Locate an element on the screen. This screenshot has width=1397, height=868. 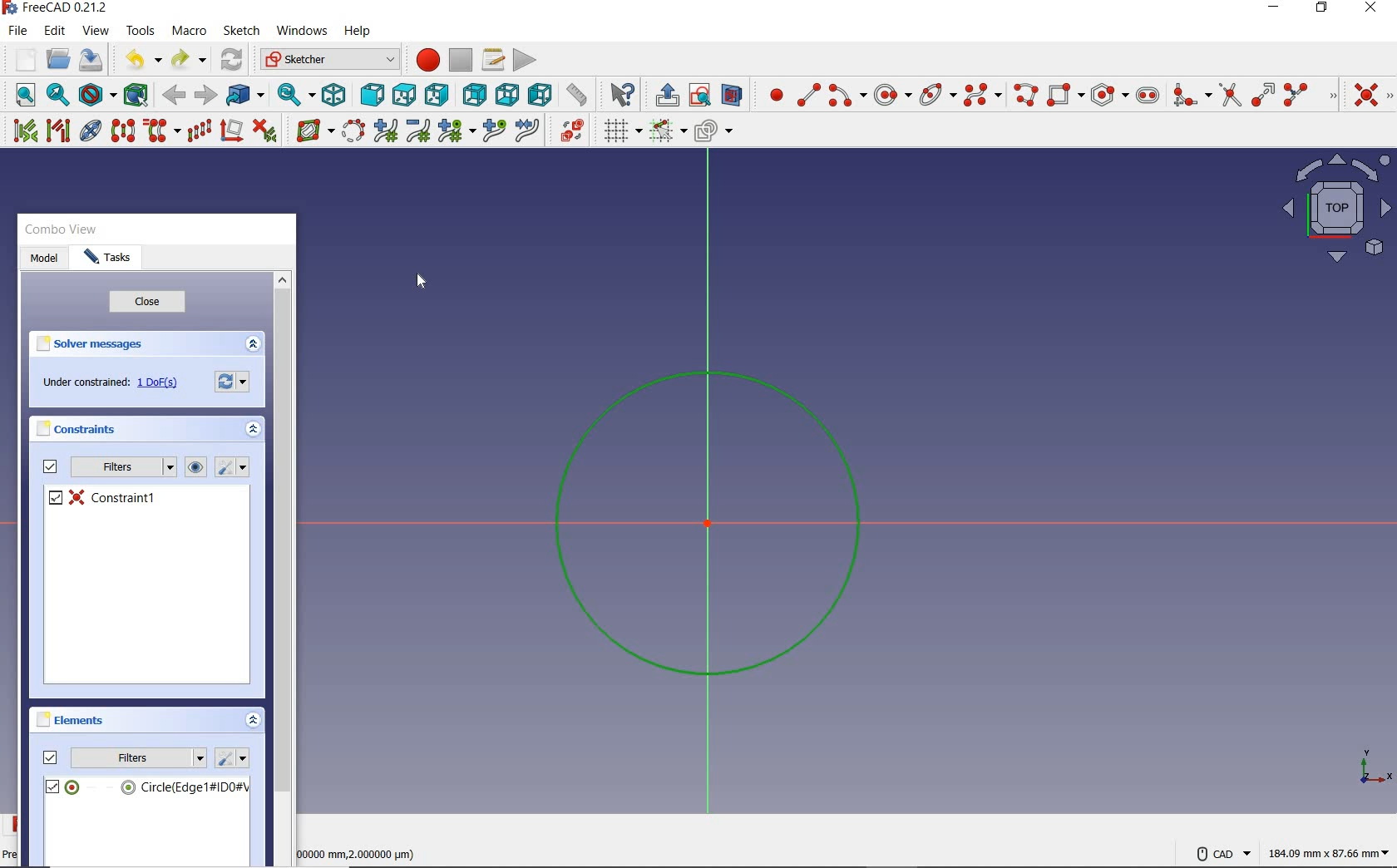
isometric is located at coordinates (328, 95).